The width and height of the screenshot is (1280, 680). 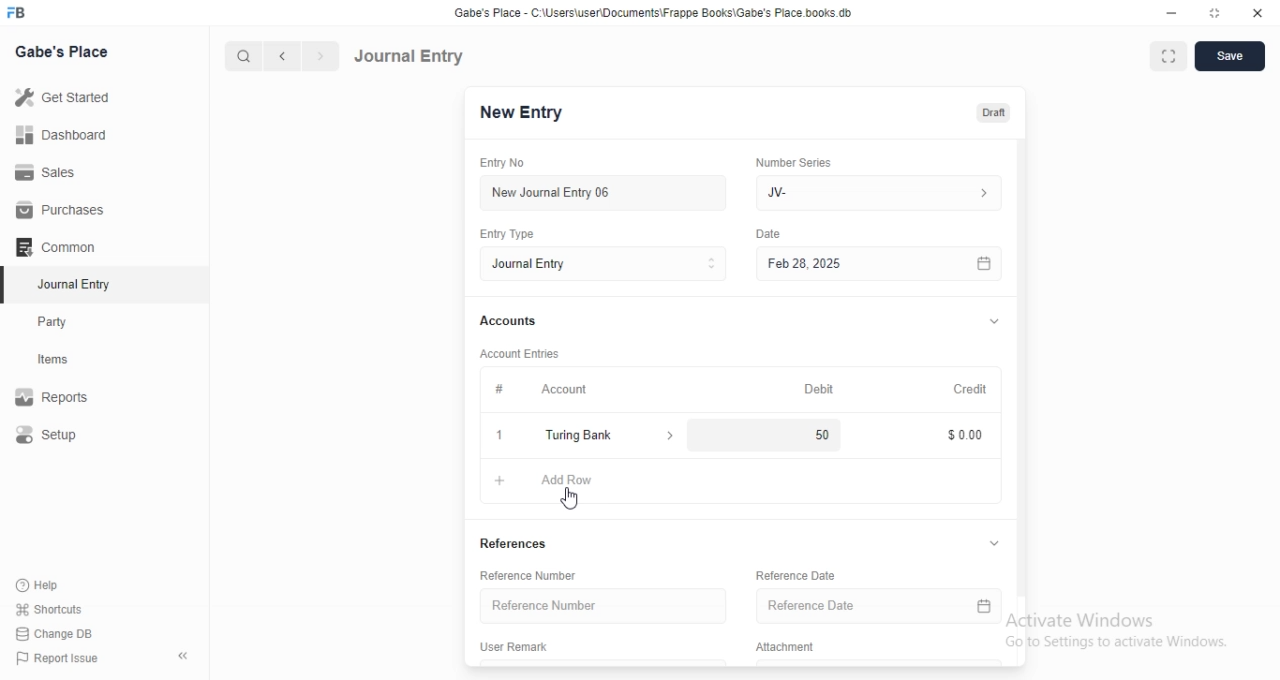 I want to click on Reports, so click(x=65, y=399).